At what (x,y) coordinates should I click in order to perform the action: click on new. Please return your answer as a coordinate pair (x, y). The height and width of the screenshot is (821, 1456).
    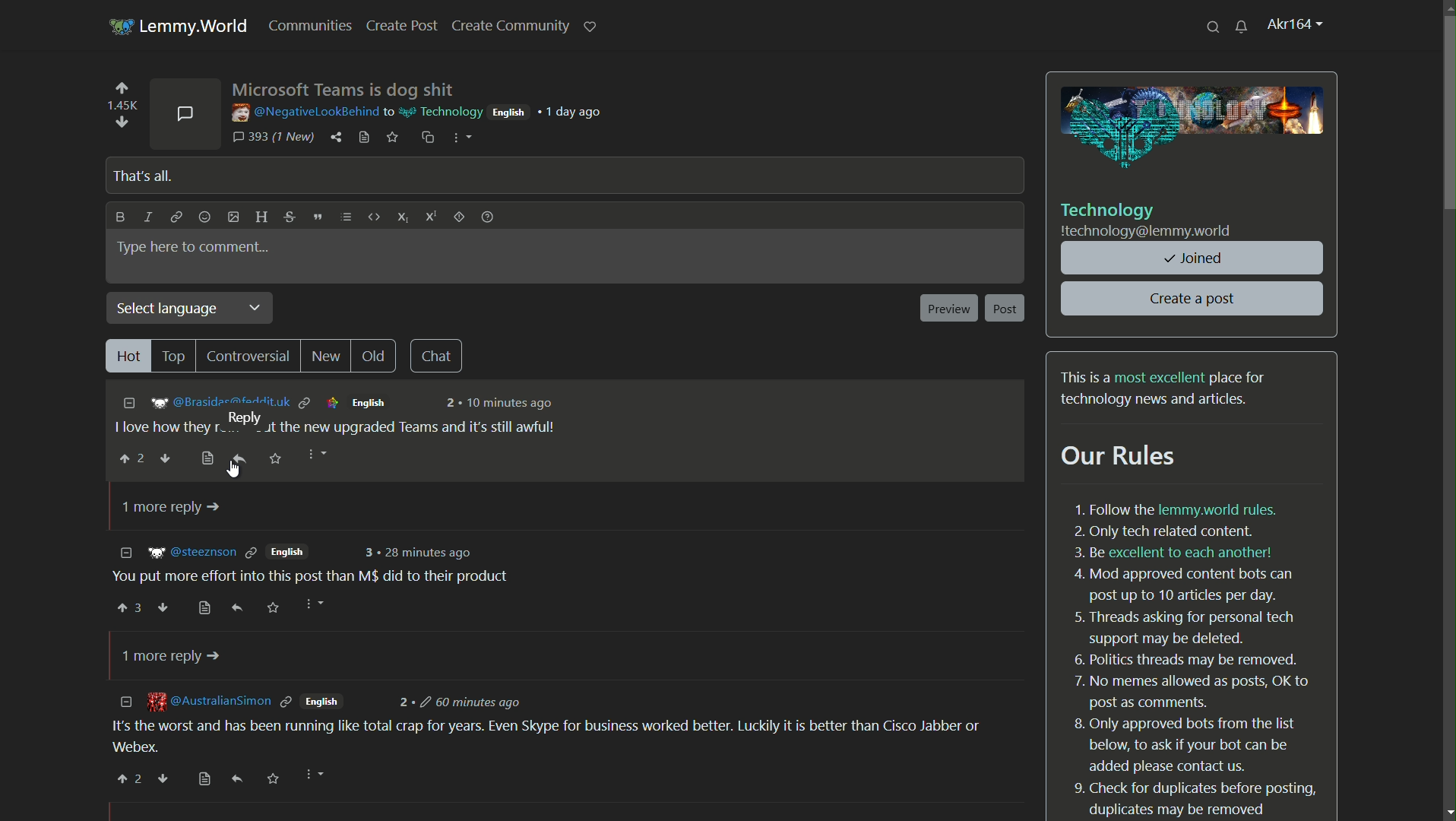
    Looking at the image, I should click on (328, 357).